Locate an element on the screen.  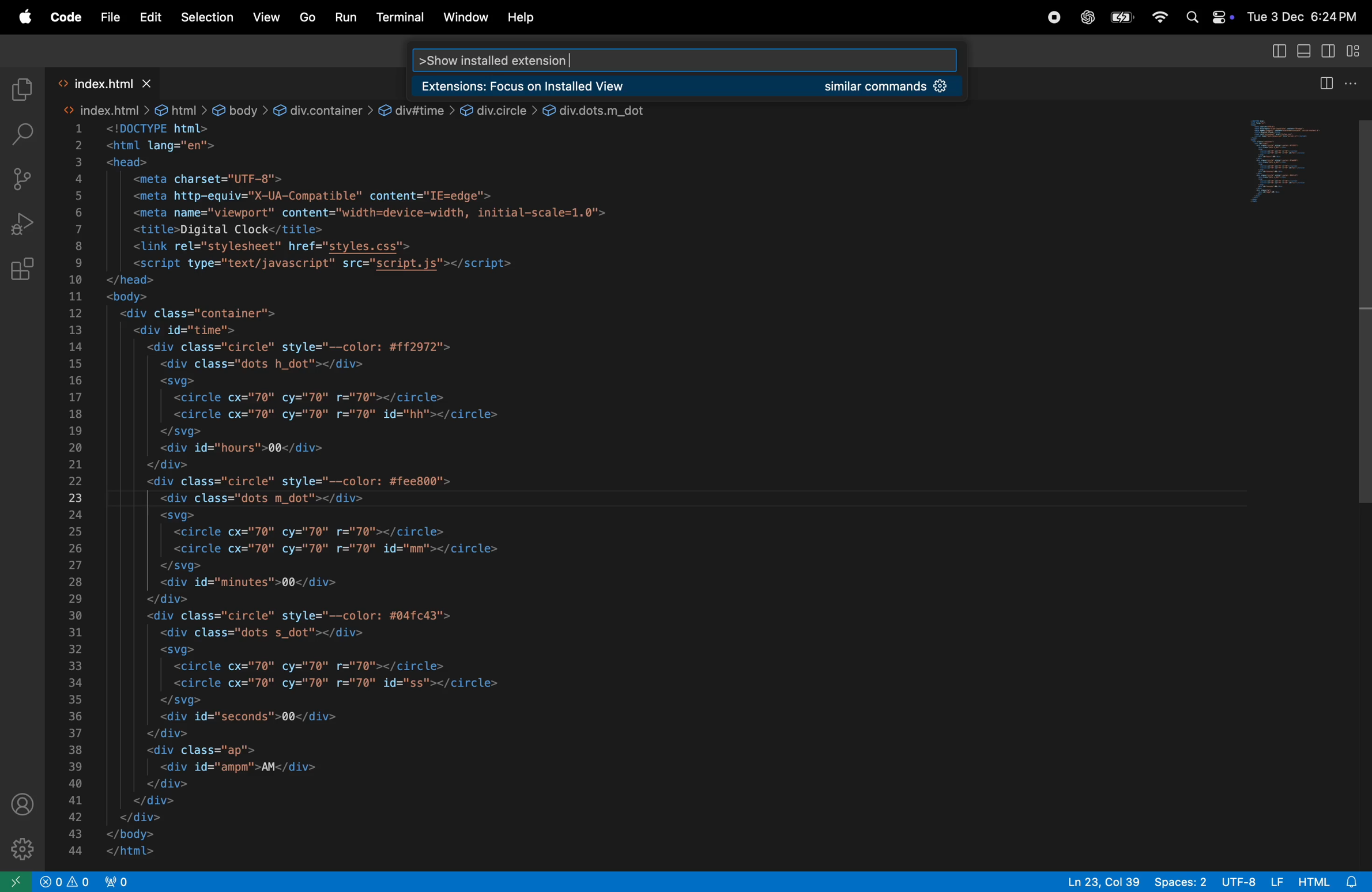
date and time is located at coordinates (1303, 14).